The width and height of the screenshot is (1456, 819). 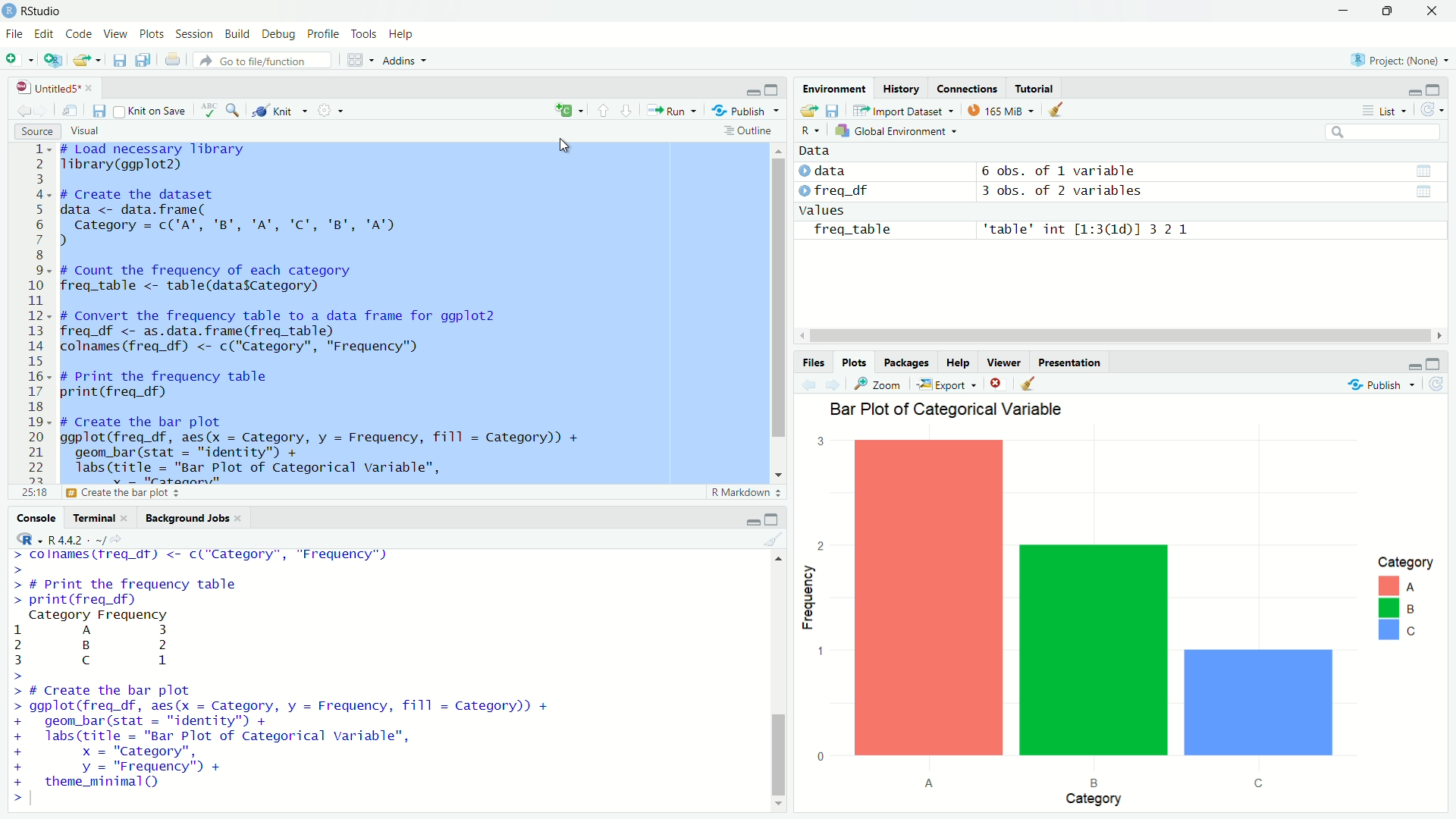 I want to click on help, so click(x=958, y=363).